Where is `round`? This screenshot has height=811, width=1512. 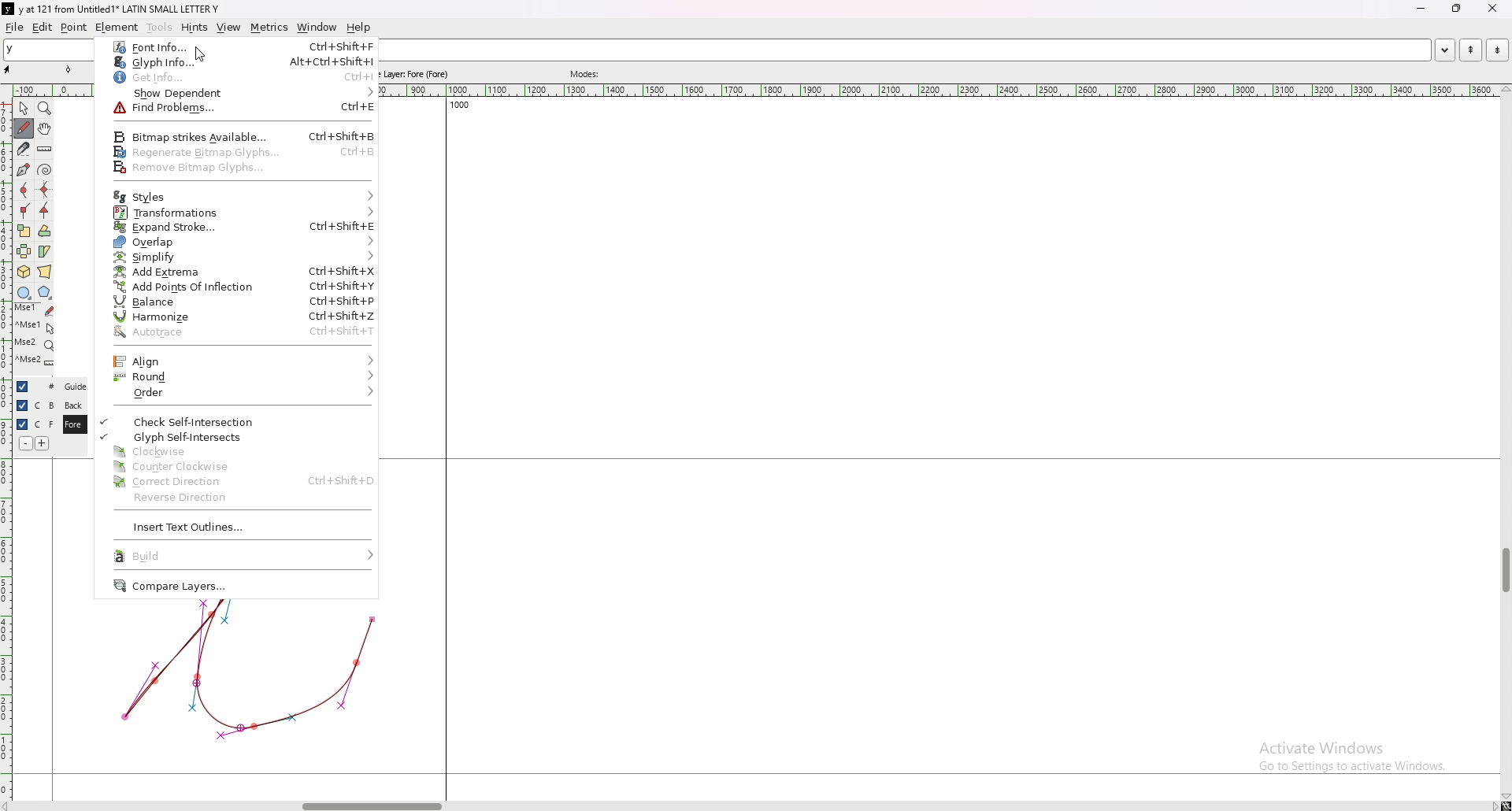
round is located at coordinates (239, 376).